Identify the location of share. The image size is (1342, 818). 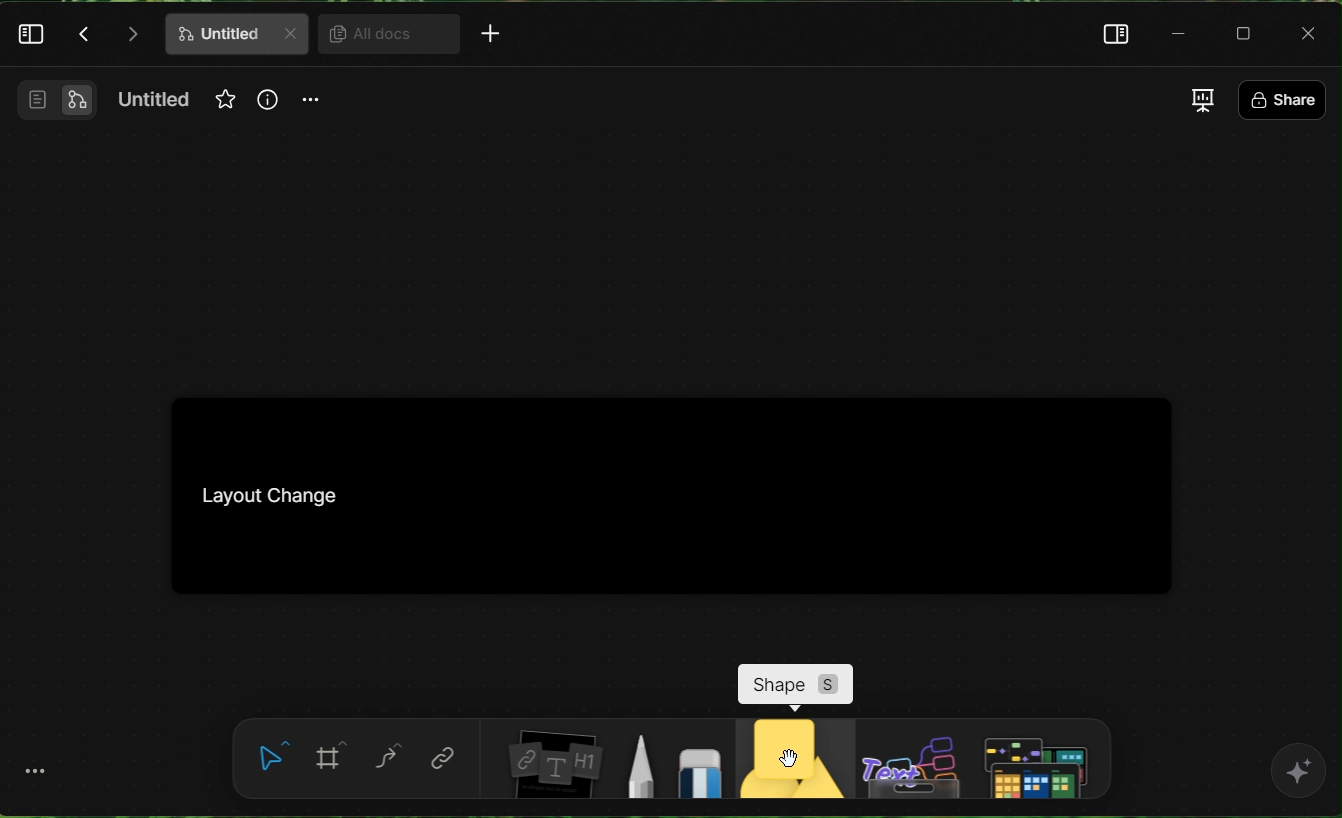
(1281, 98).